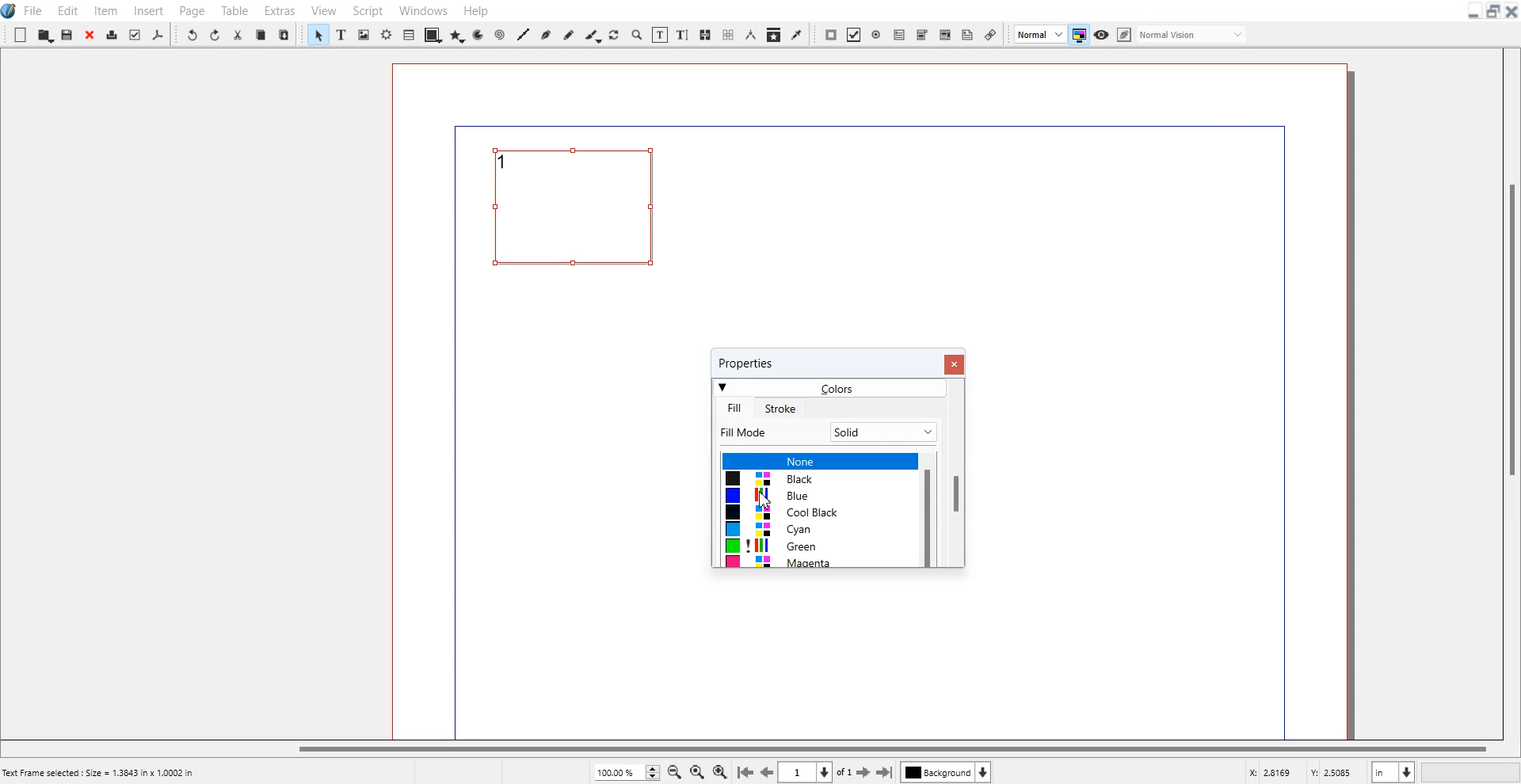 The width and height of the screenshot is (1521, 784). What do you see at coordinates (626, 772) in the screenshot?
I see `Zoom Adjustment` at bounding box center [626, 772].